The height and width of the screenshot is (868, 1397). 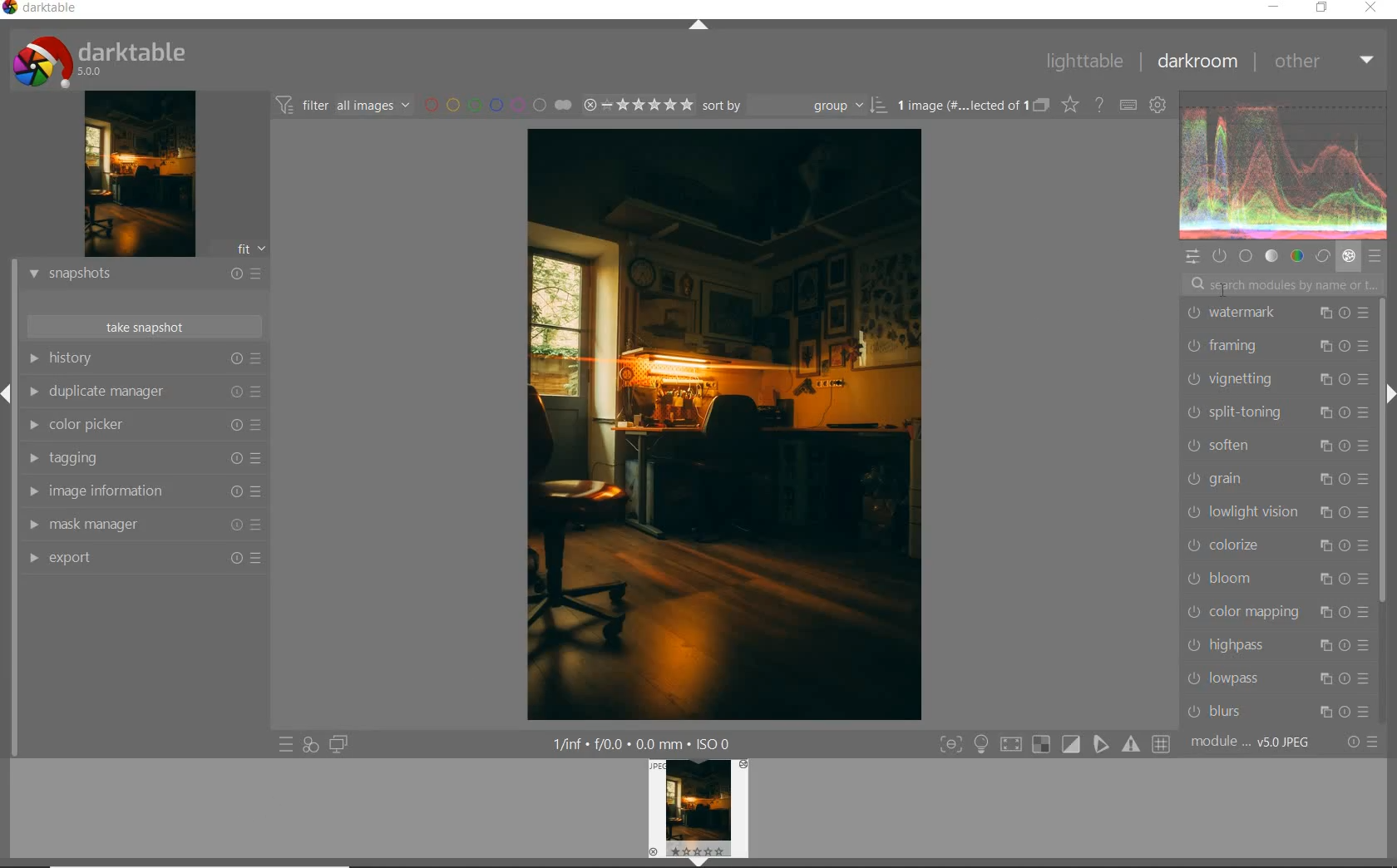 What do you see at coordinates (142, 274) in the screenshot?
I see `snapshots` at bounding box center [142, 274].